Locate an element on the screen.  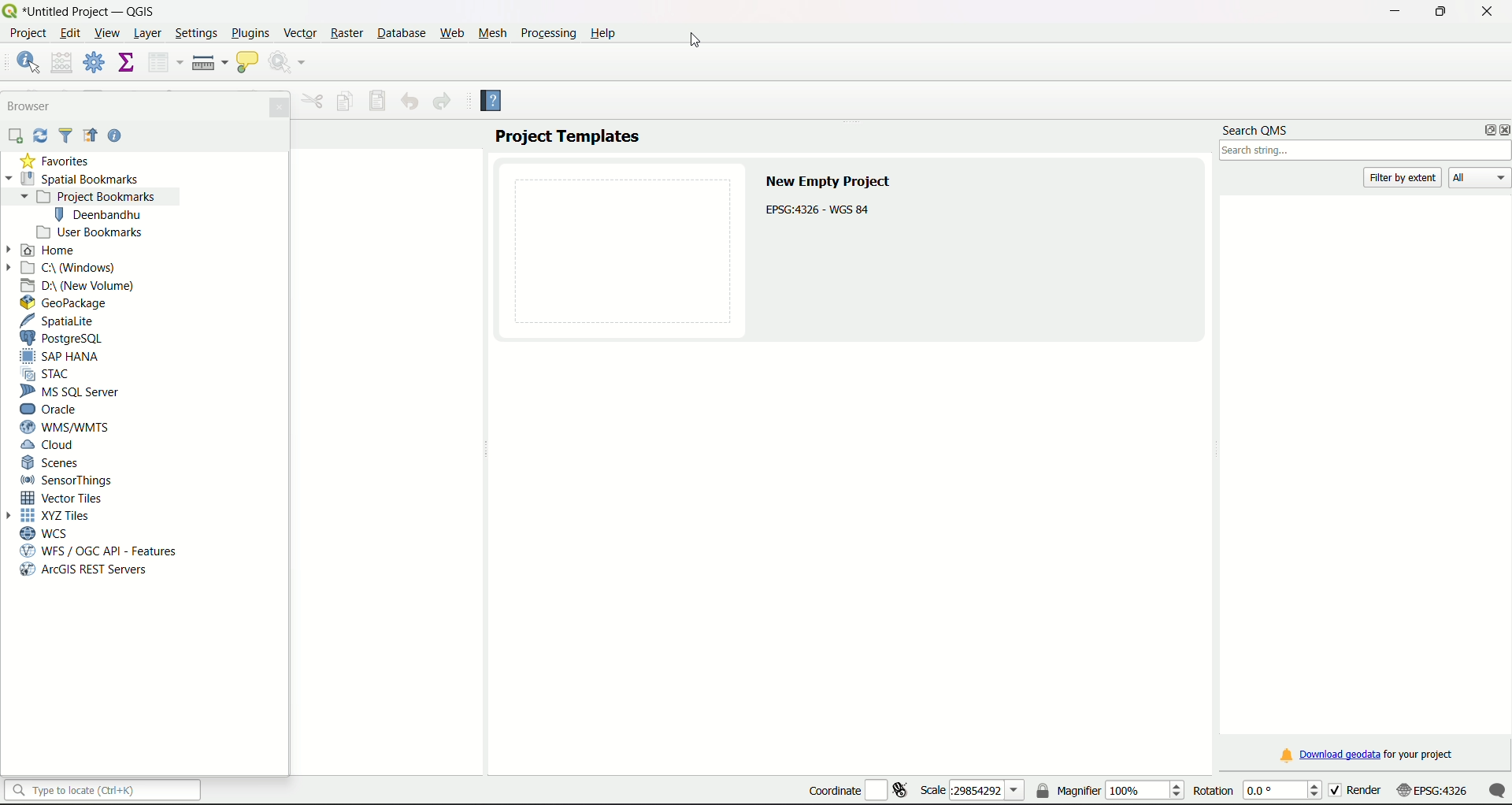
Cloud is located at coordinates (54, 444).